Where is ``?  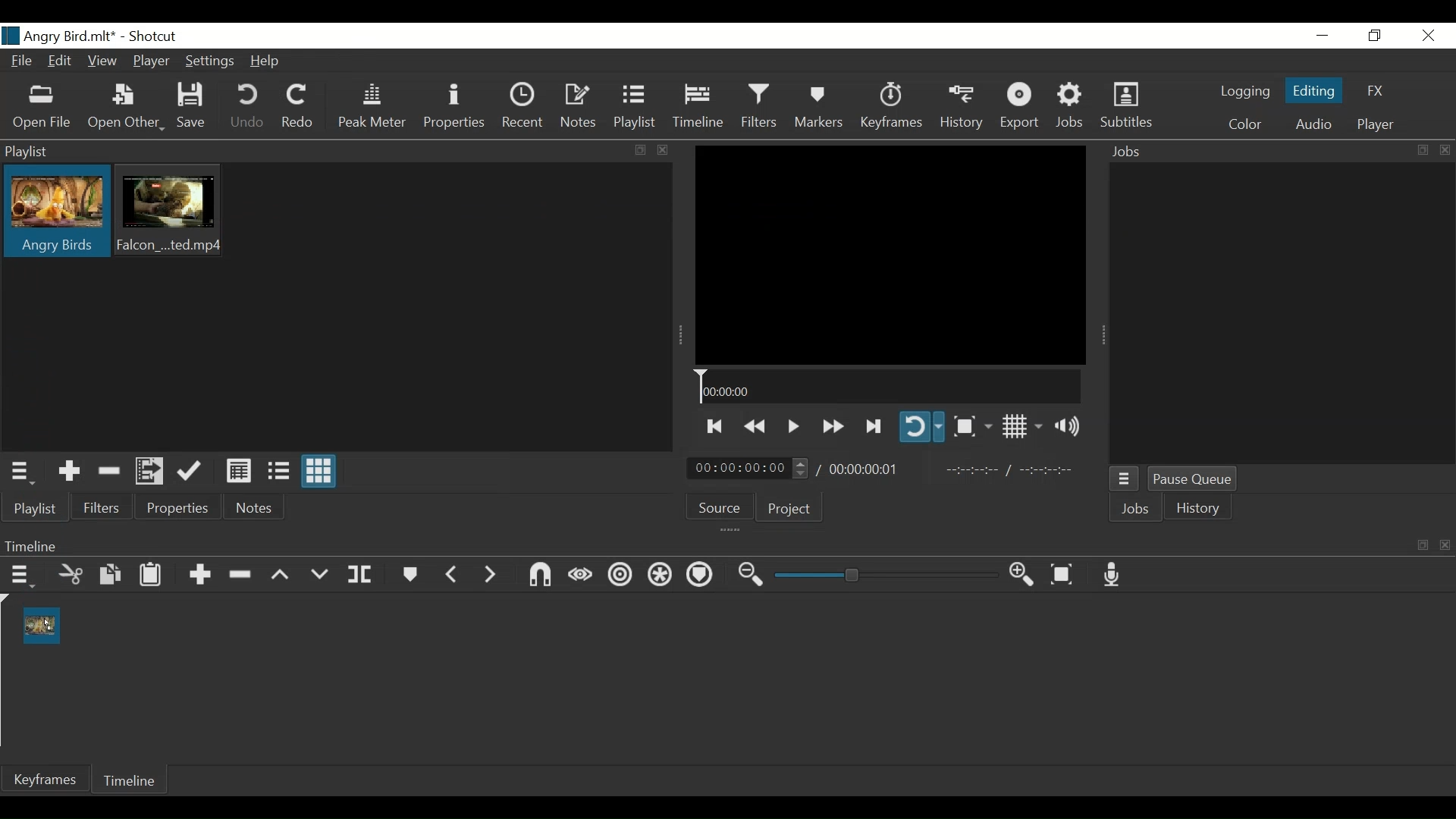
 is located at coordinates (729, 544).